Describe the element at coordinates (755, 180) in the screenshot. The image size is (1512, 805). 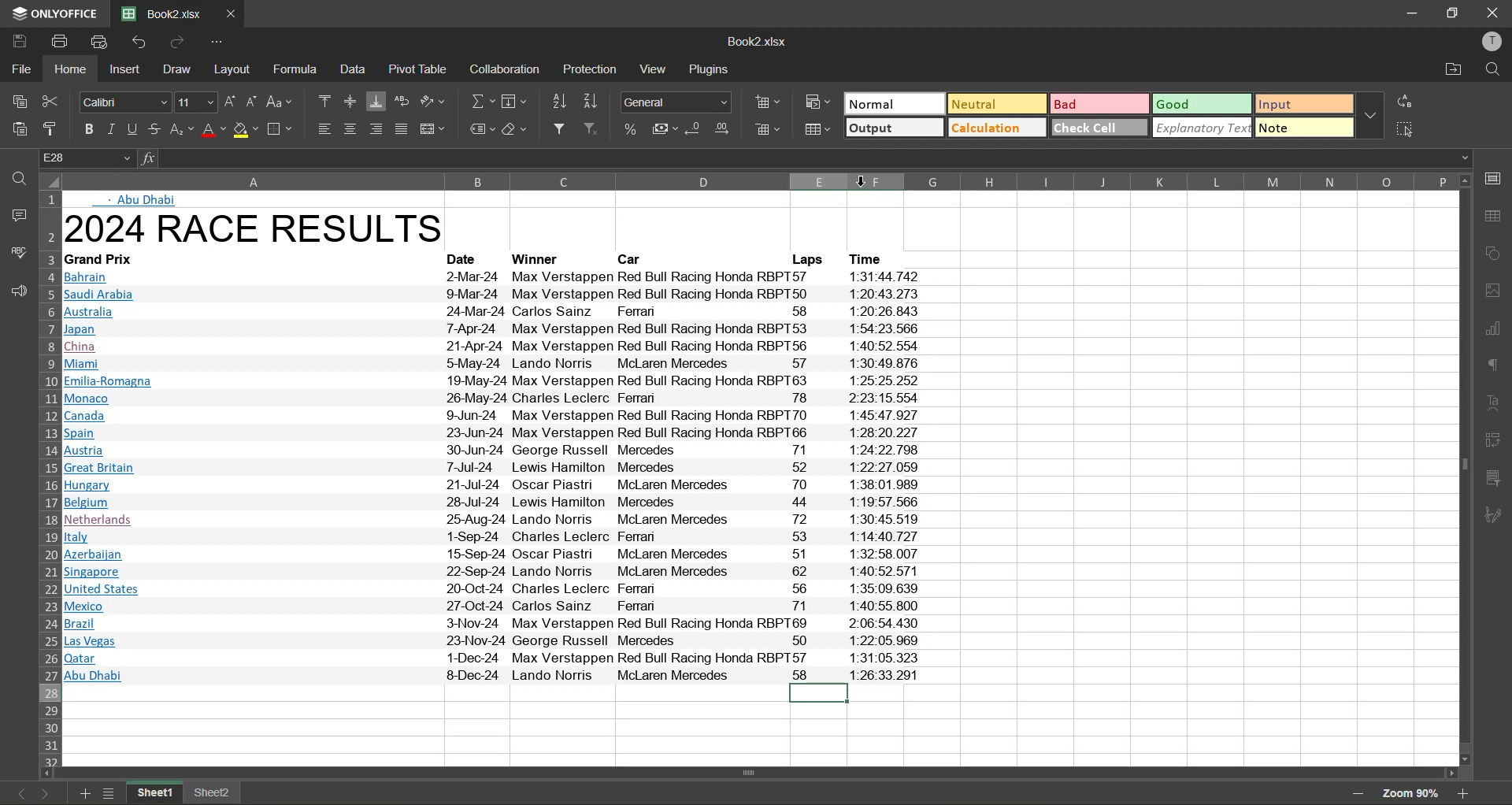
I see `column names` at that location.